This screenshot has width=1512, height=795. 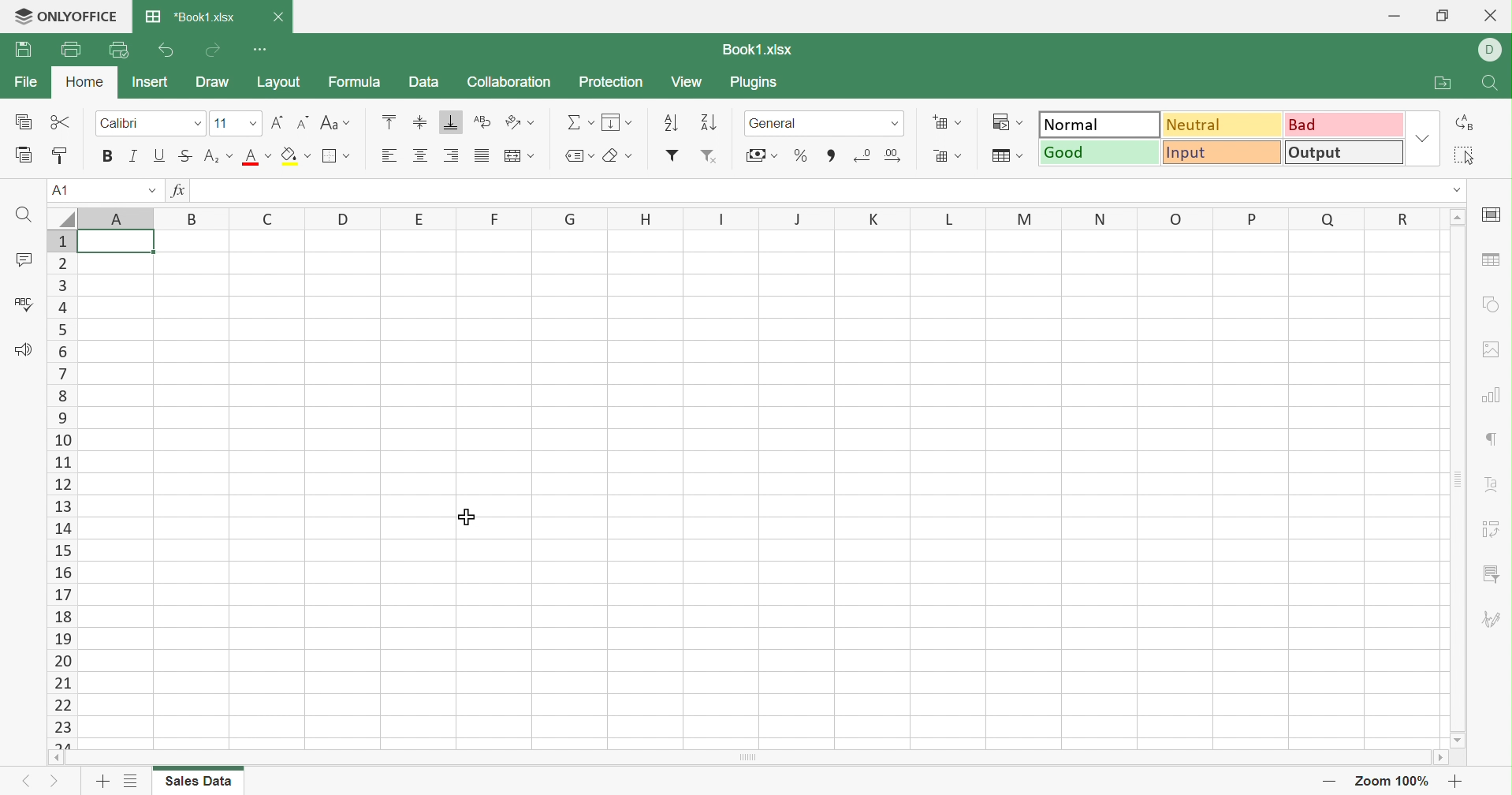 I want to click on Paragraph settings, so click(x=1491, y=437).